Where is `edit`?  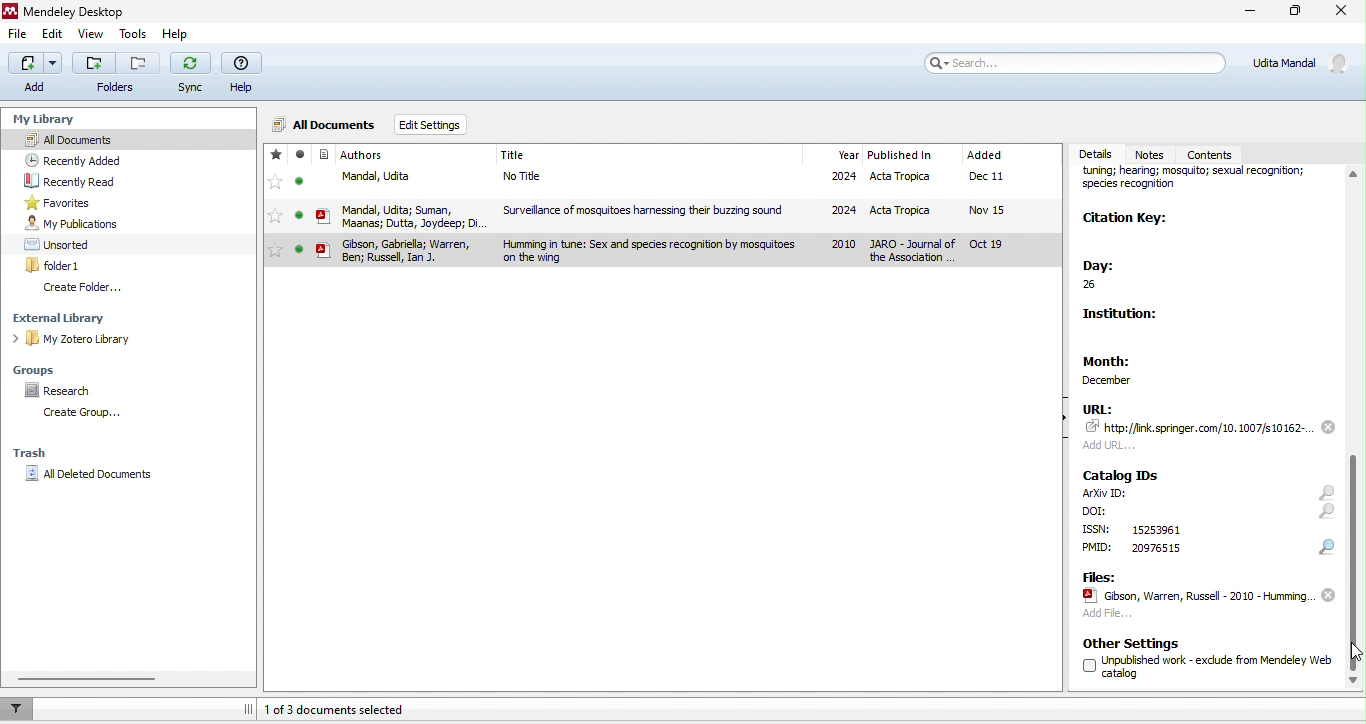 edit is located at coordinates (53, 37).